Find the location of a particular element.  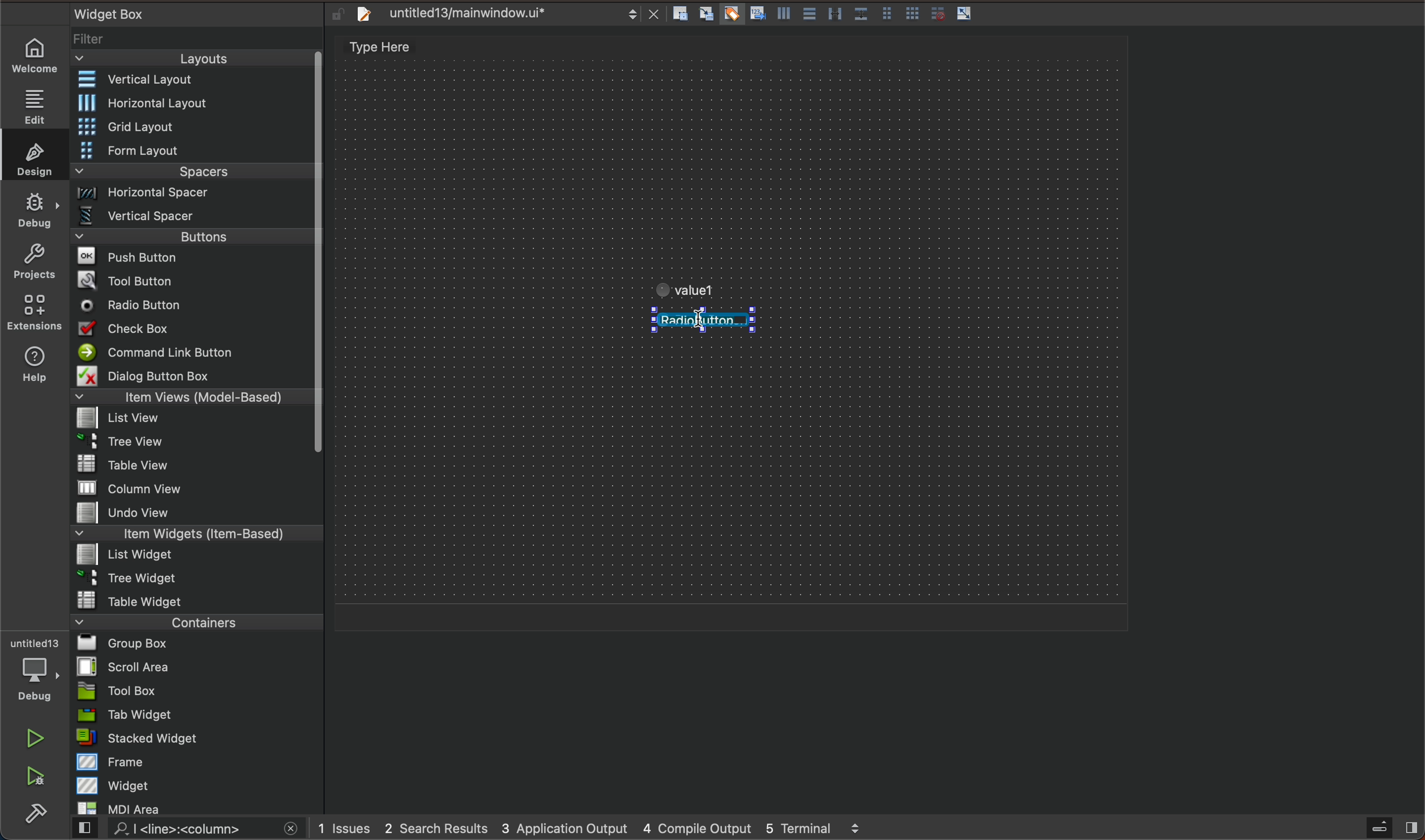

filter is located at coordinates (198, 43).